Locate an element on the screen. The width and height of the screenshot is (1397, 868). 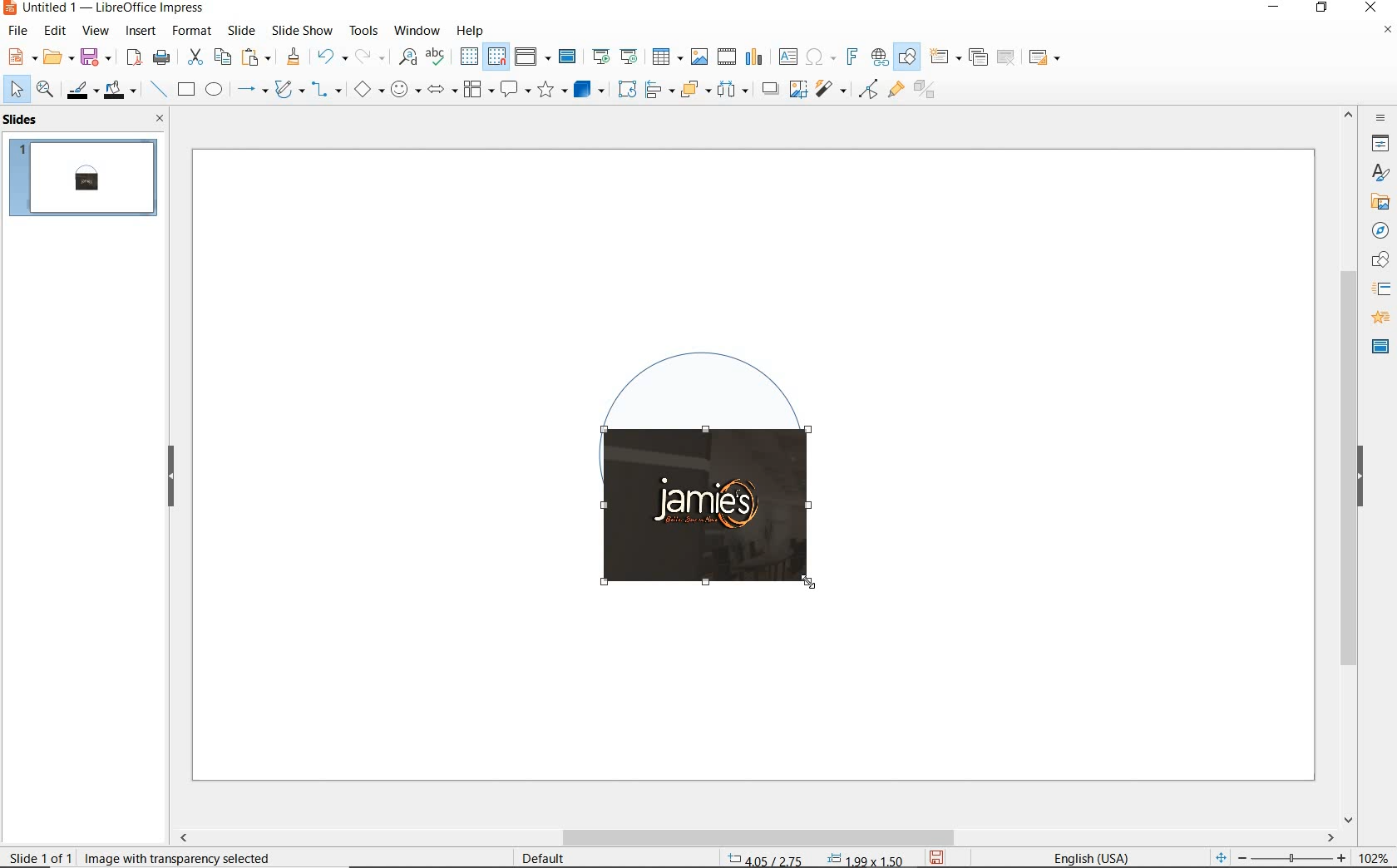
close document is located at coordinates (1387, 33).